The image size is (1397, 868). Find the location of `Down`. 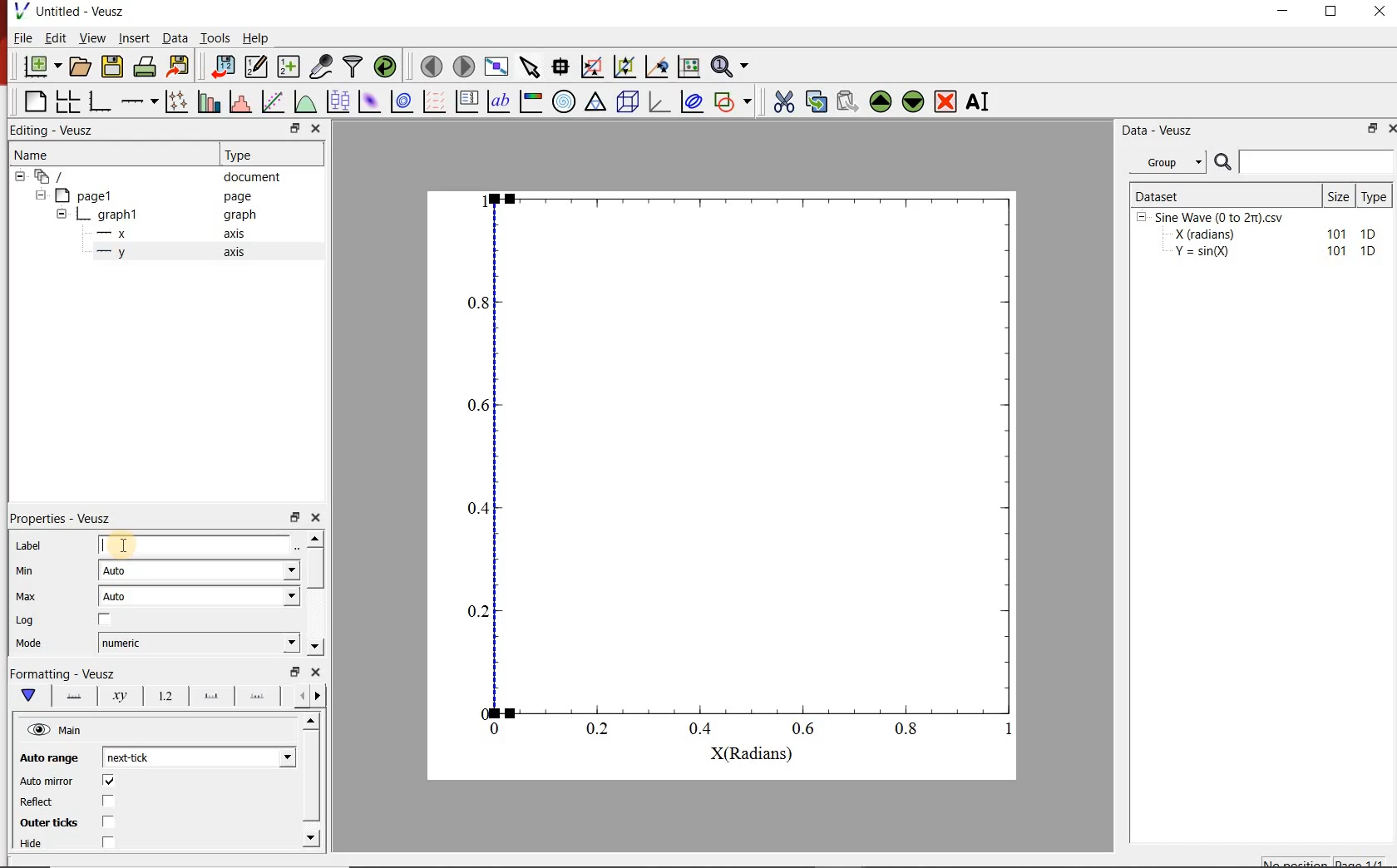

Down is located at coordinates (313, 837).